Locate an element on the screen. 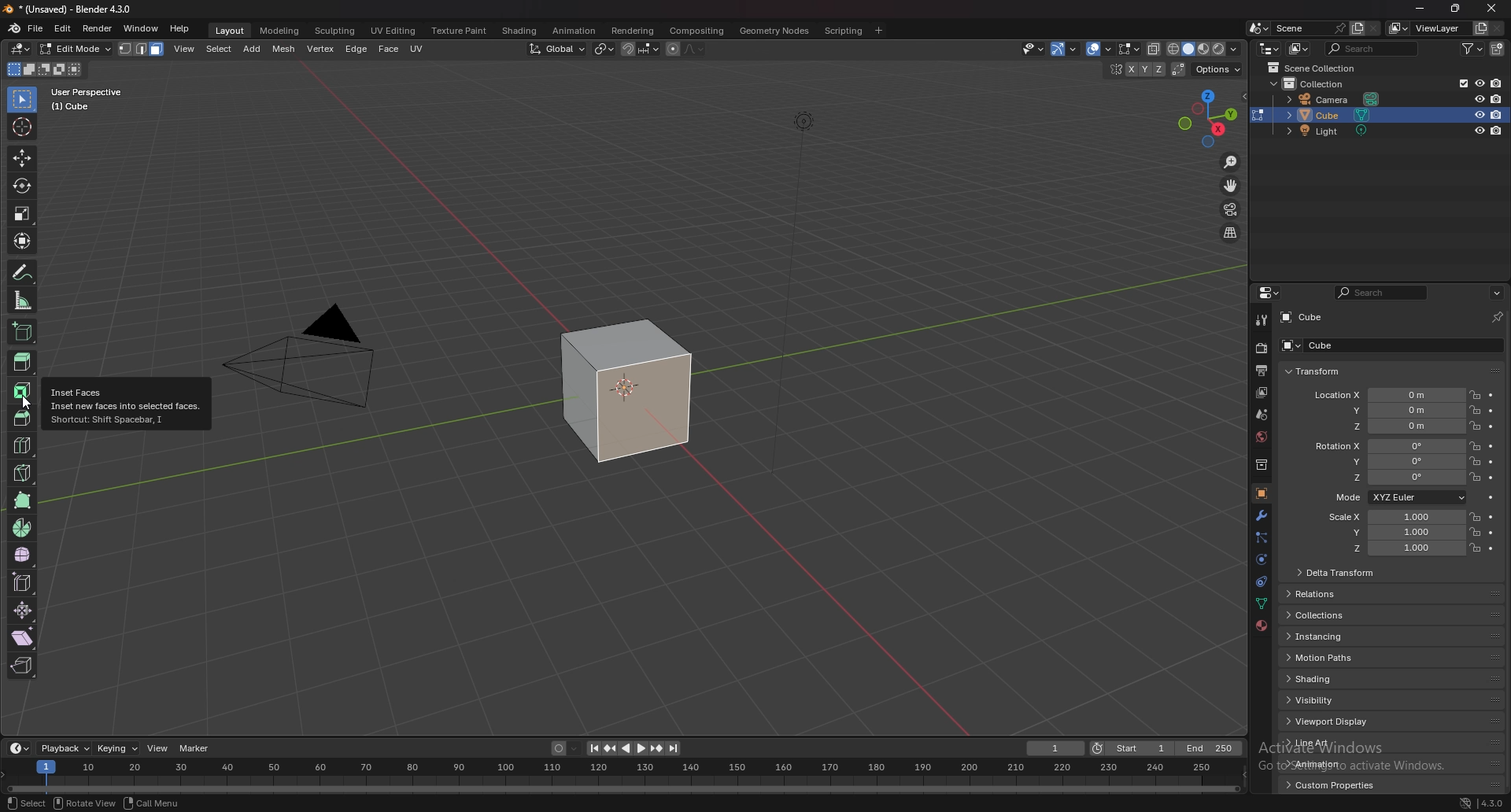 The width and height of the screenshot is (1511, 812). loop cut is located at coordinates (24, 445).